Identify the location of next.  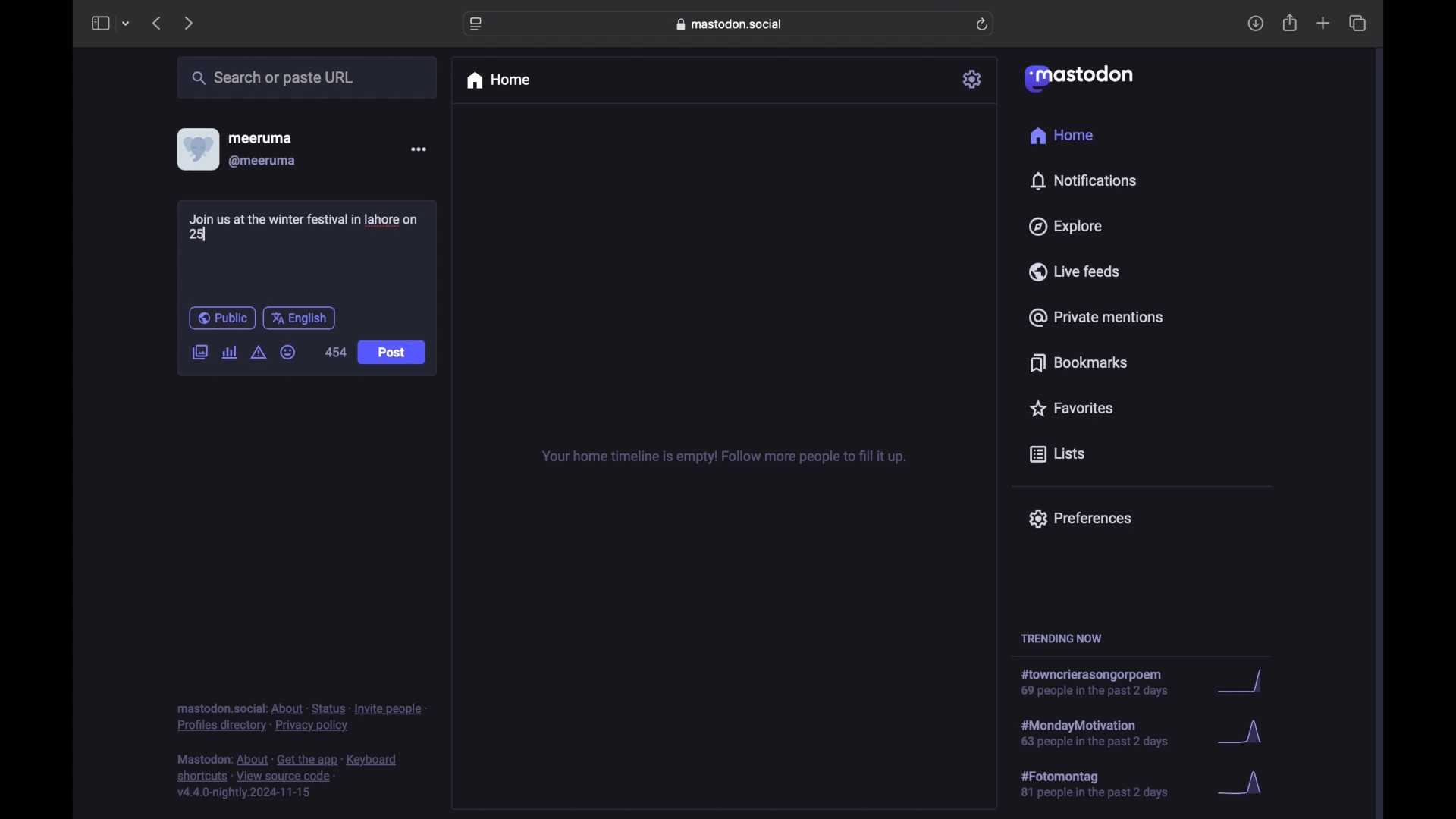
(190, 23).